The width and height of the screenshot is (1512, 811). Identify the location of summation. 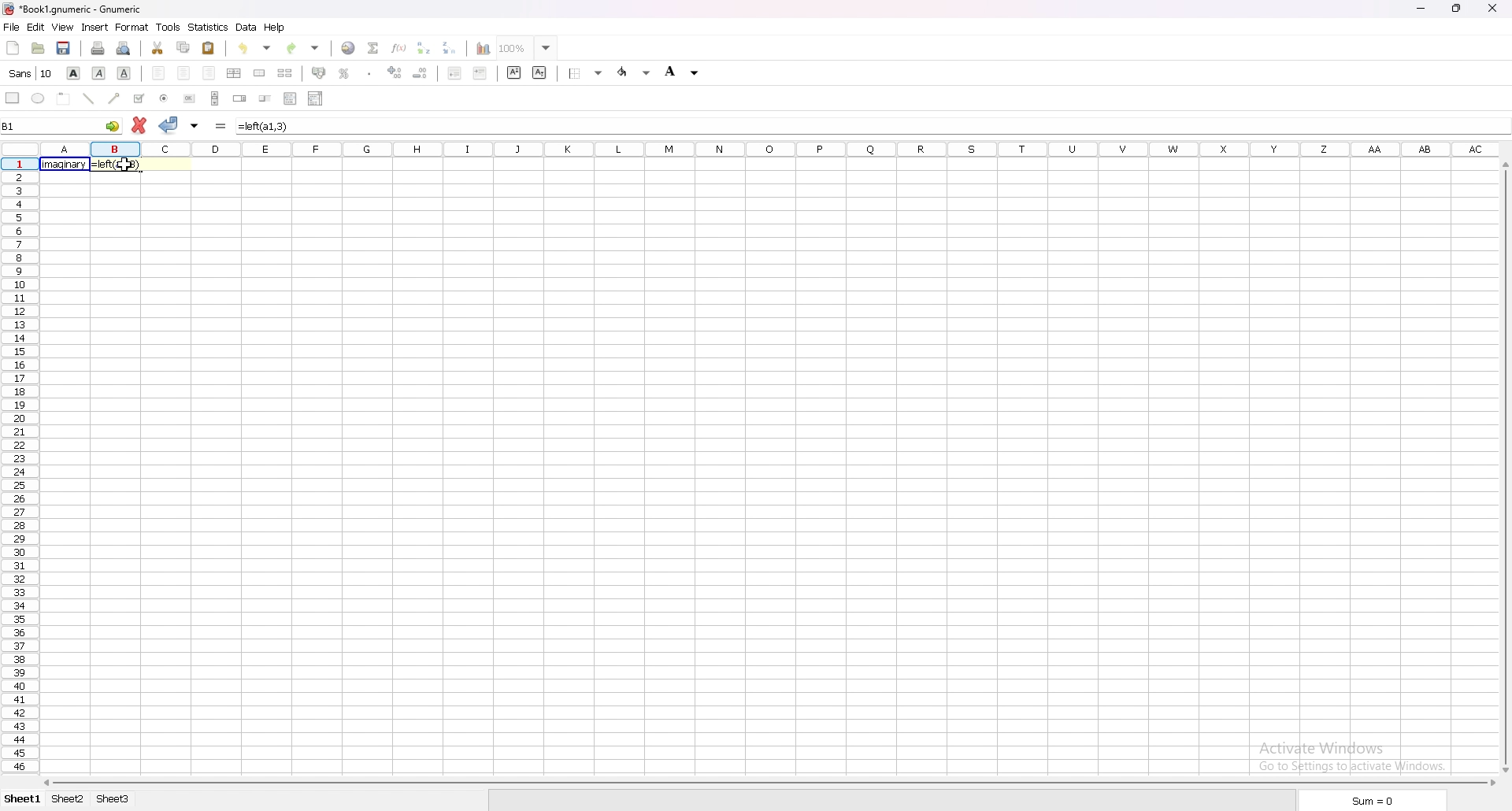
(372, 48).